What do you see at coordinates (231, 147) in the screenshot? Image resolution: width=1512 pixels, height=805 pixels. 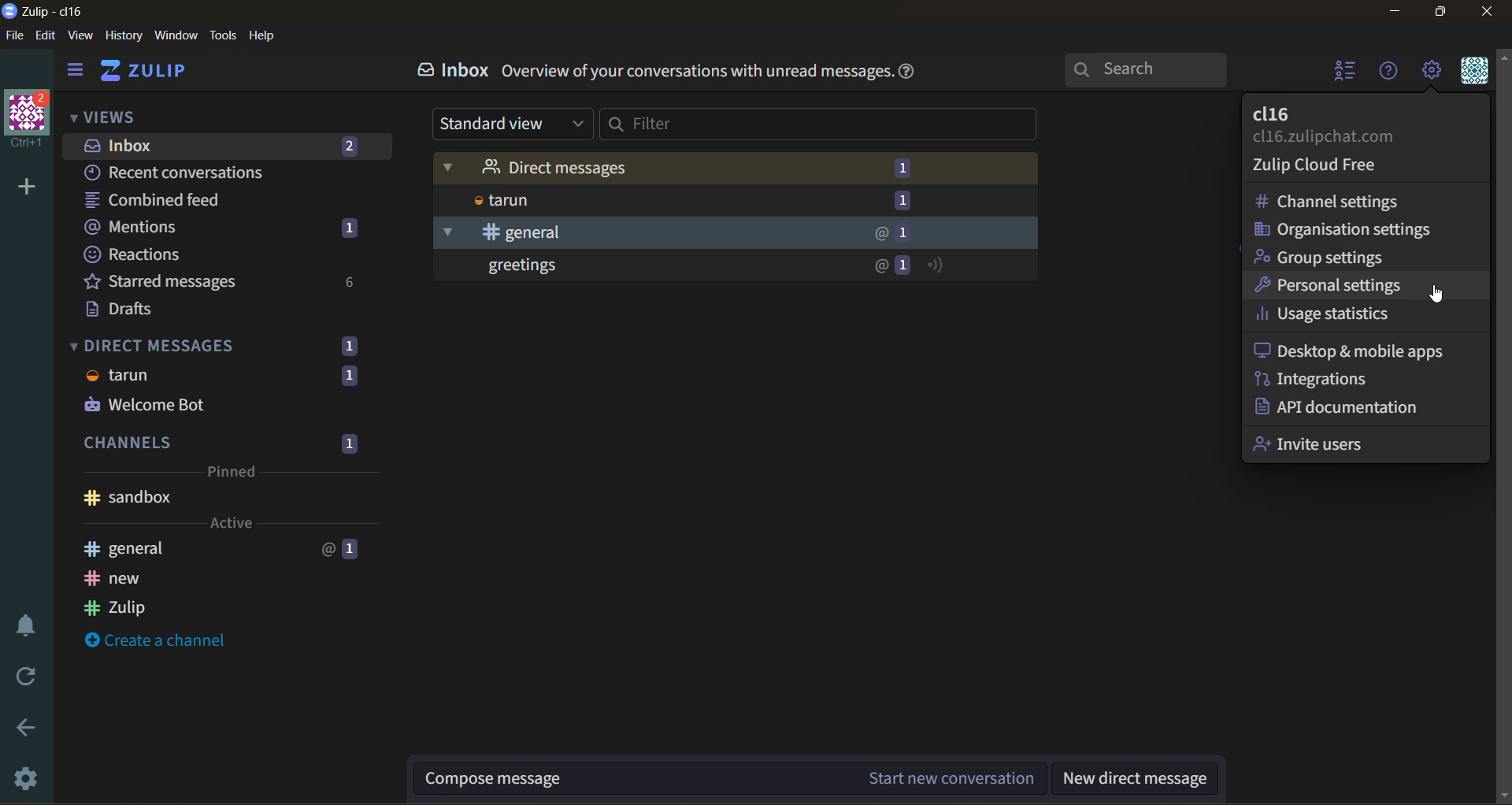 I see `inbox` at bounding box center [231, 147].